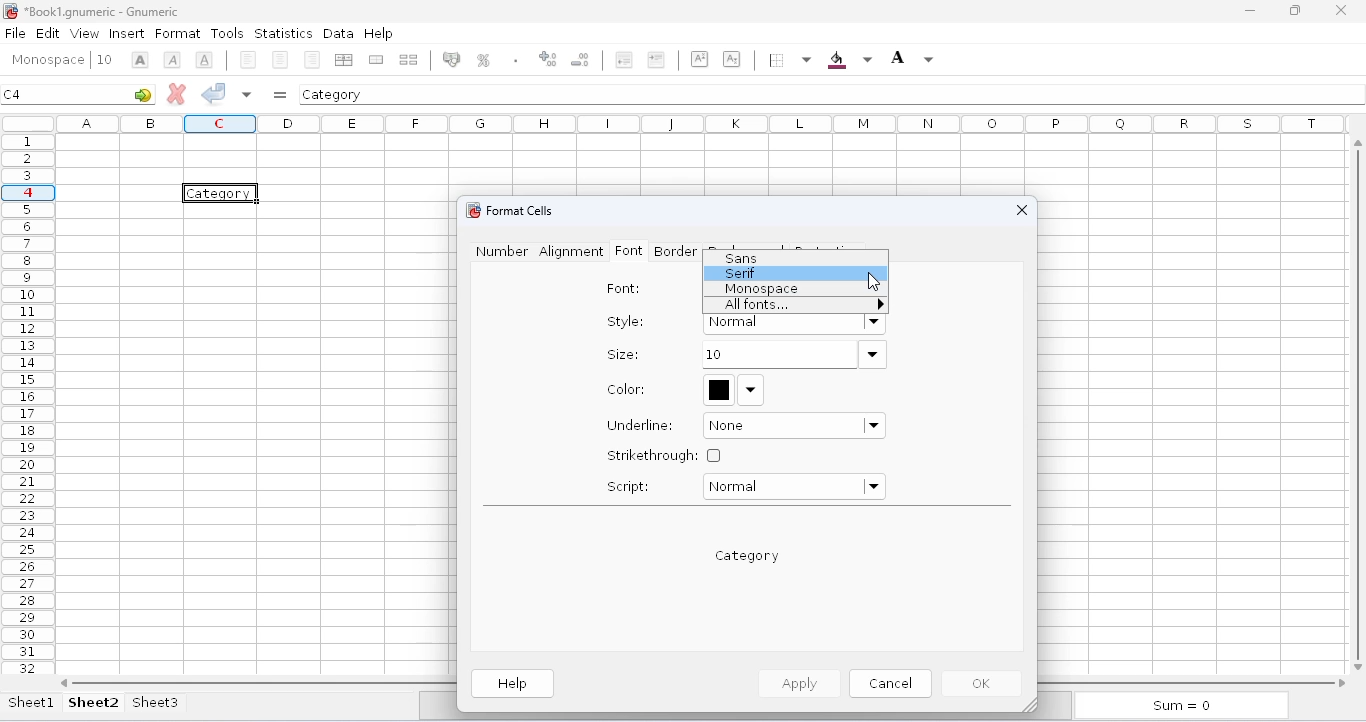  I want to click on file, so click(15, 33).